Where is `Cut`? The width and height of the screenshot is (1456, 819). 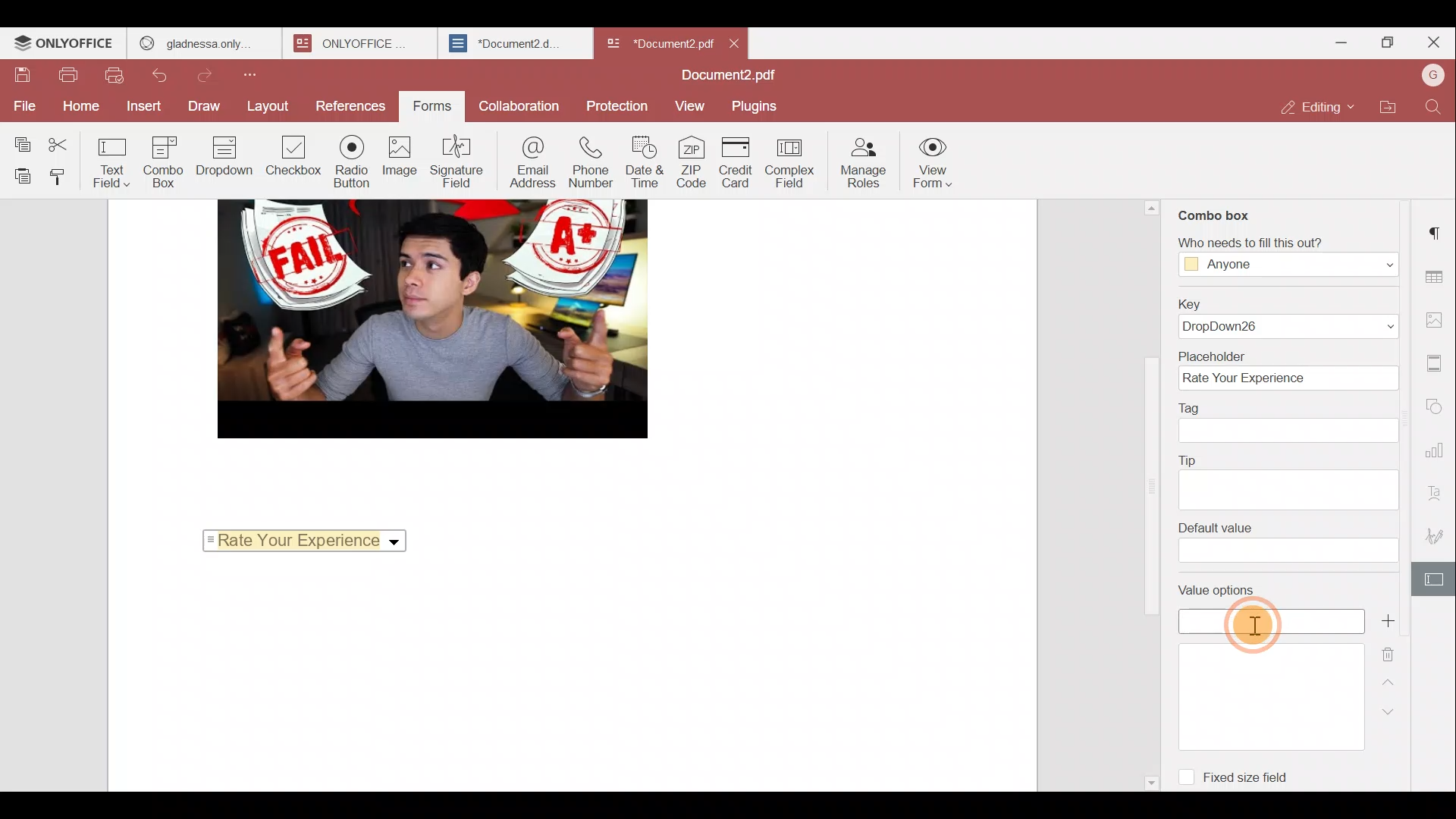 Cut is located at coordinates (70, 142).